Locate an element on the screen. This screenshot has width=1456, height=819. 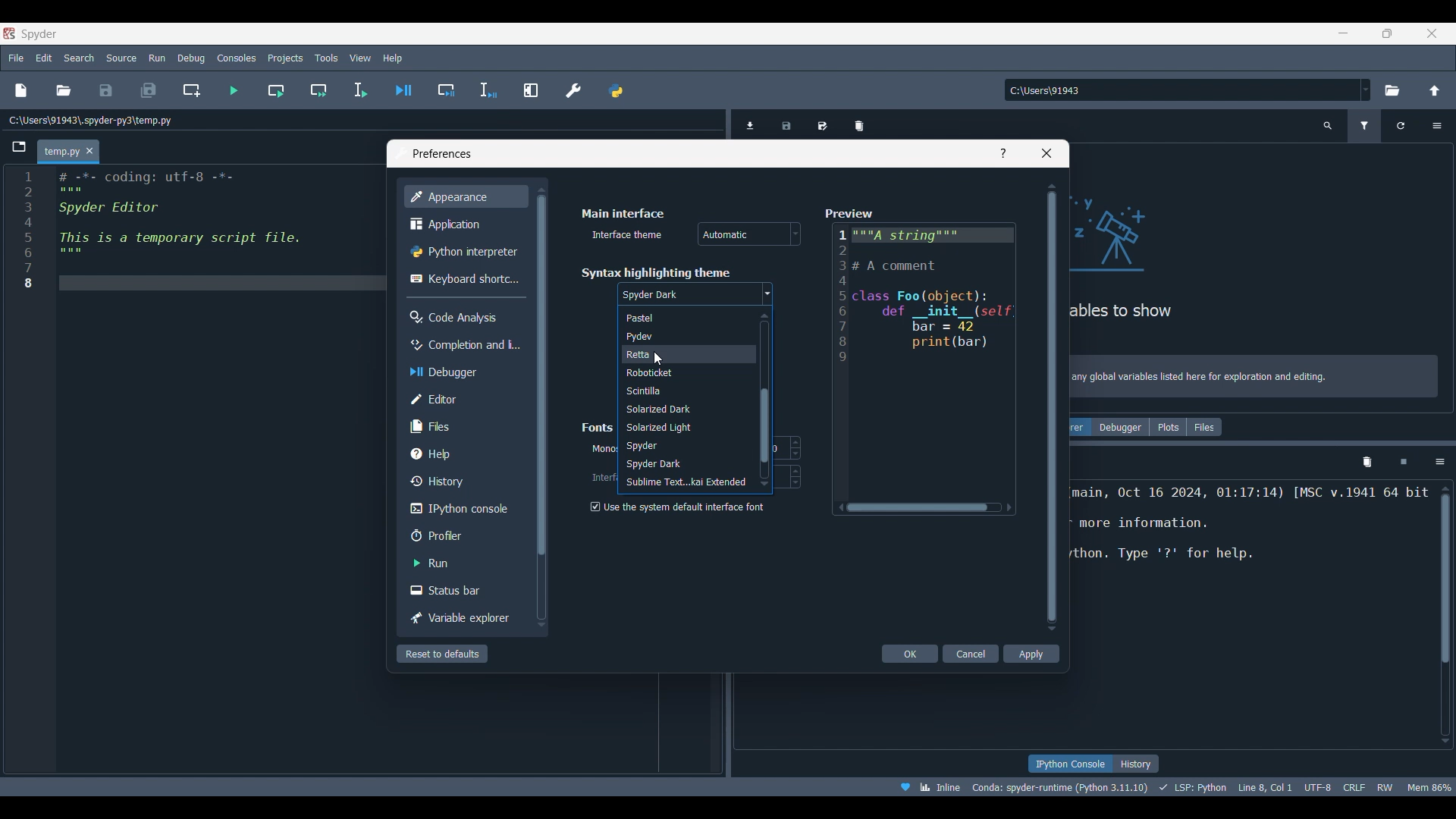
Editor is located at coordinates (463, 399).